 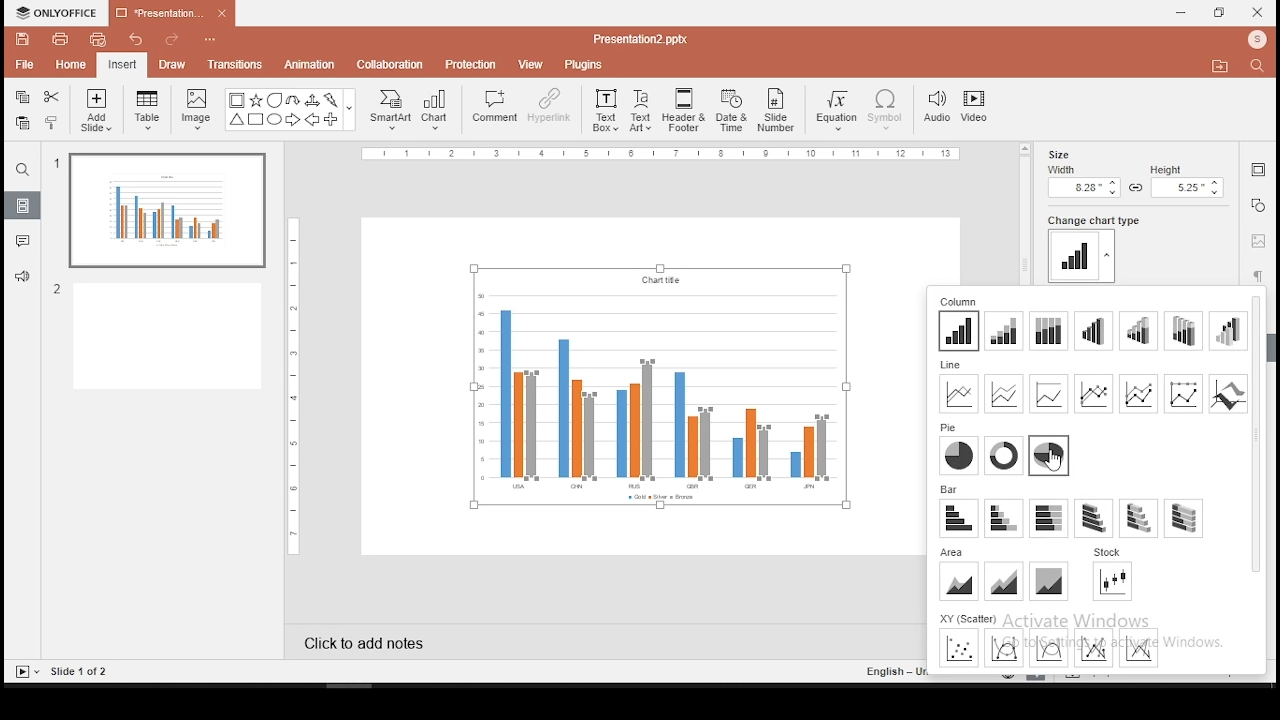 What do you see at coordinates (1182, 12) in the screenshot?
I see `minimize` at bounding box center [1182, 12].